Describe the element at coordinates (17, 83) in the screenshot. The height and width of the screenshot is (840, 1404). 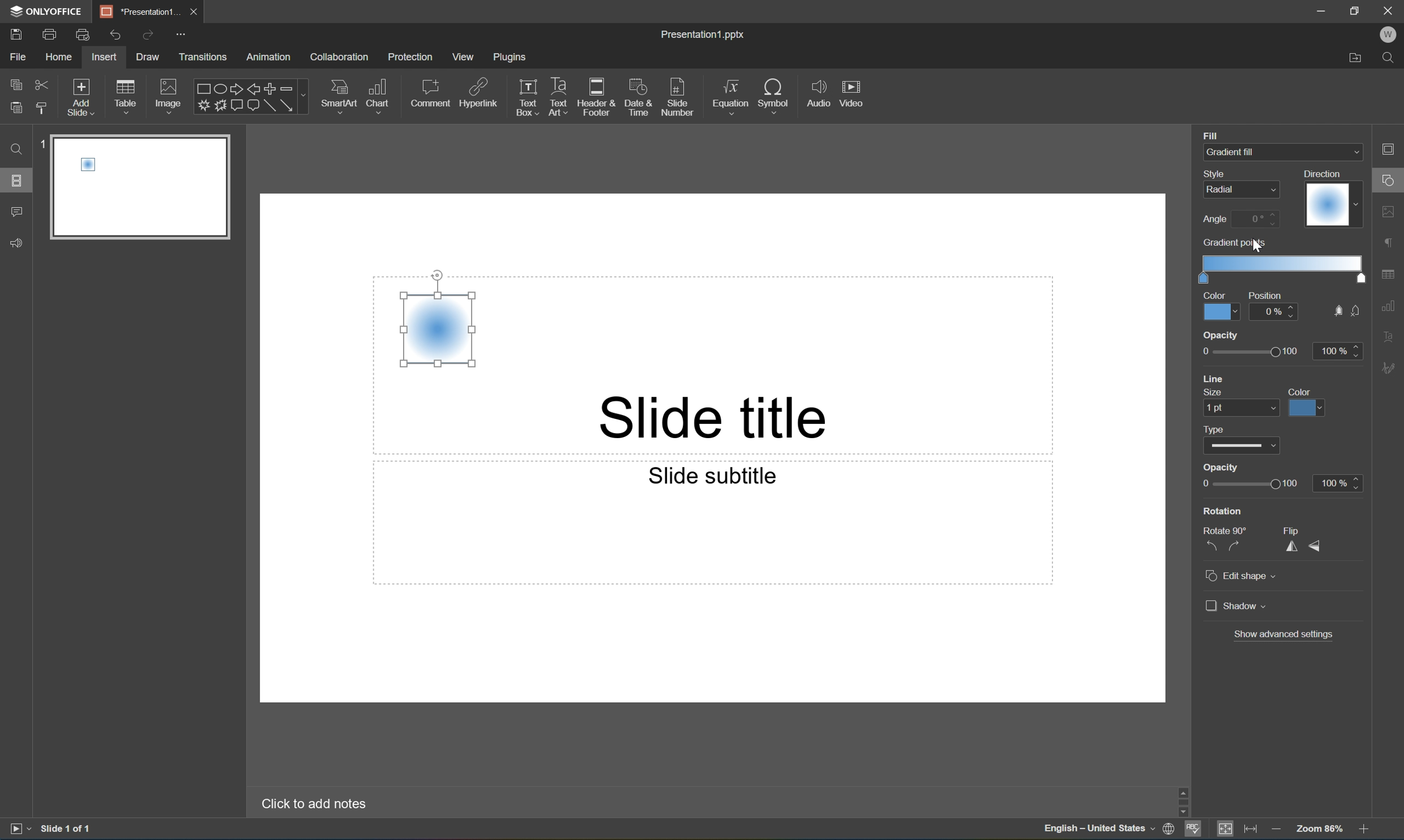
I see `Copy` at that location.